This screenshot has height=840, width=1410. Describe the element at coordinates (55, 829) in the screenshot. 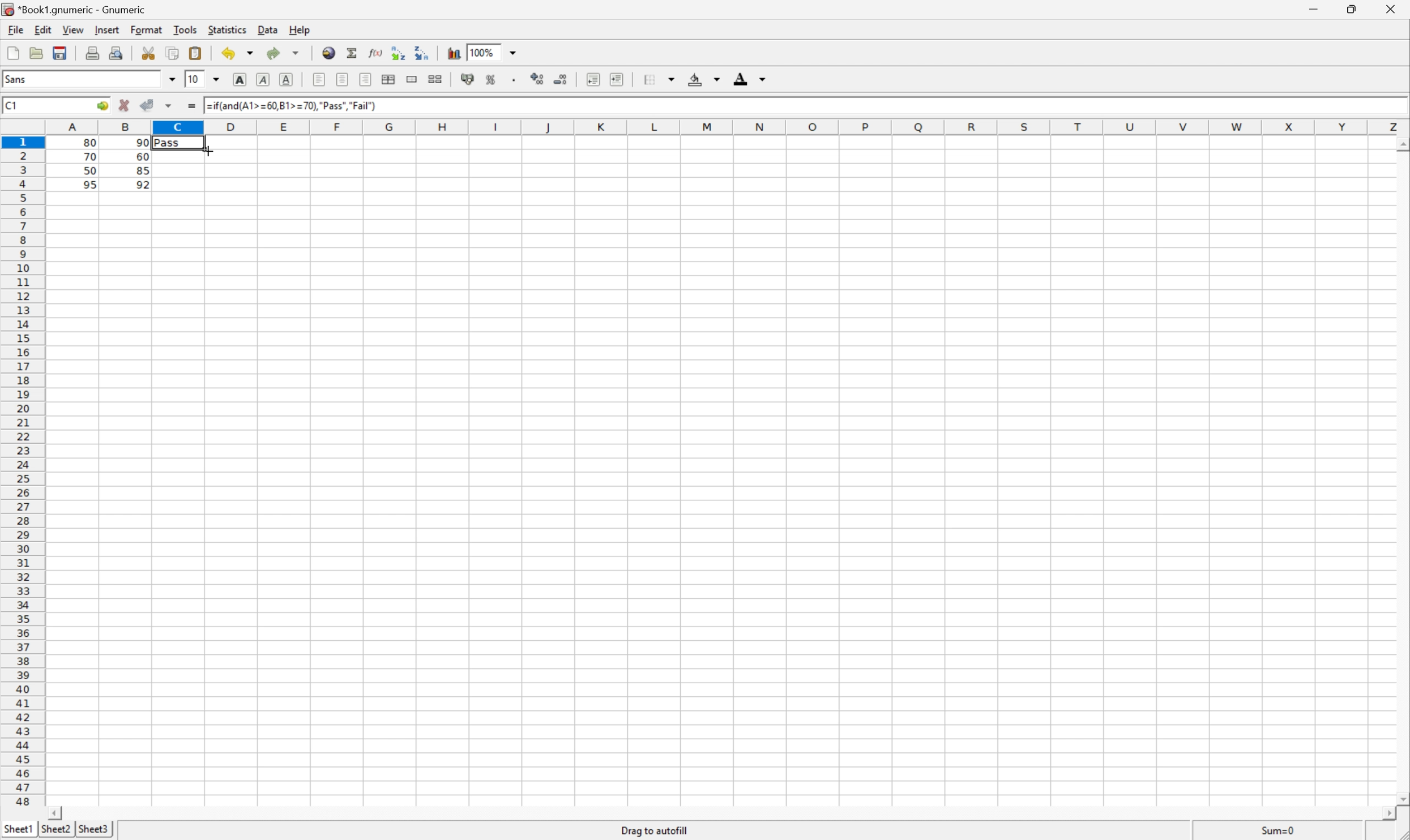

I see `Sheet2` at that location.